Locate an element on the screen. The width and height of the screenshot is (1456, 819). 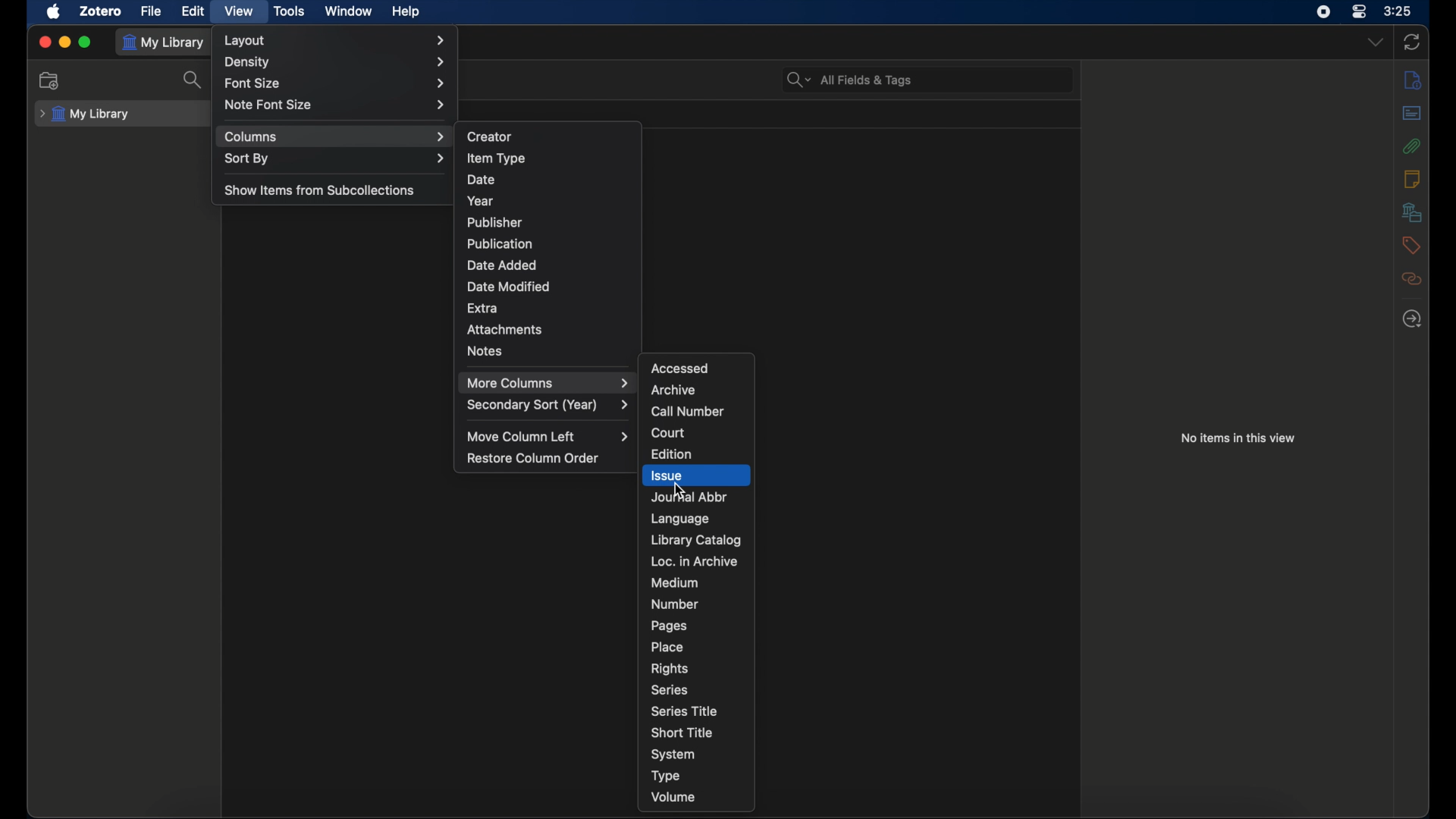
 is located at coordinates (1412, 80).